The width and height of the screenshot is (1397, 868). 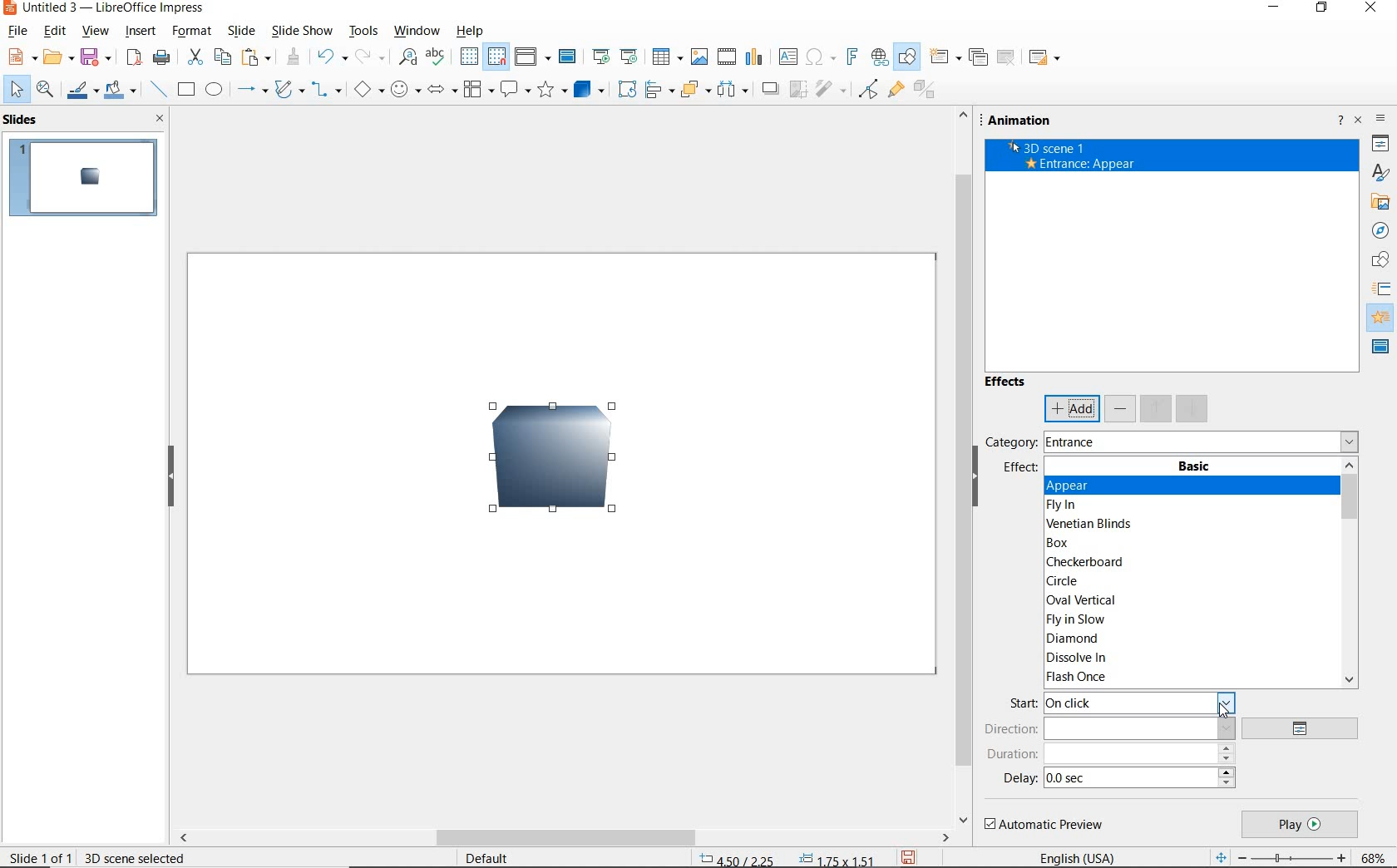 I want to click on cut, so click(x=196, y=57).